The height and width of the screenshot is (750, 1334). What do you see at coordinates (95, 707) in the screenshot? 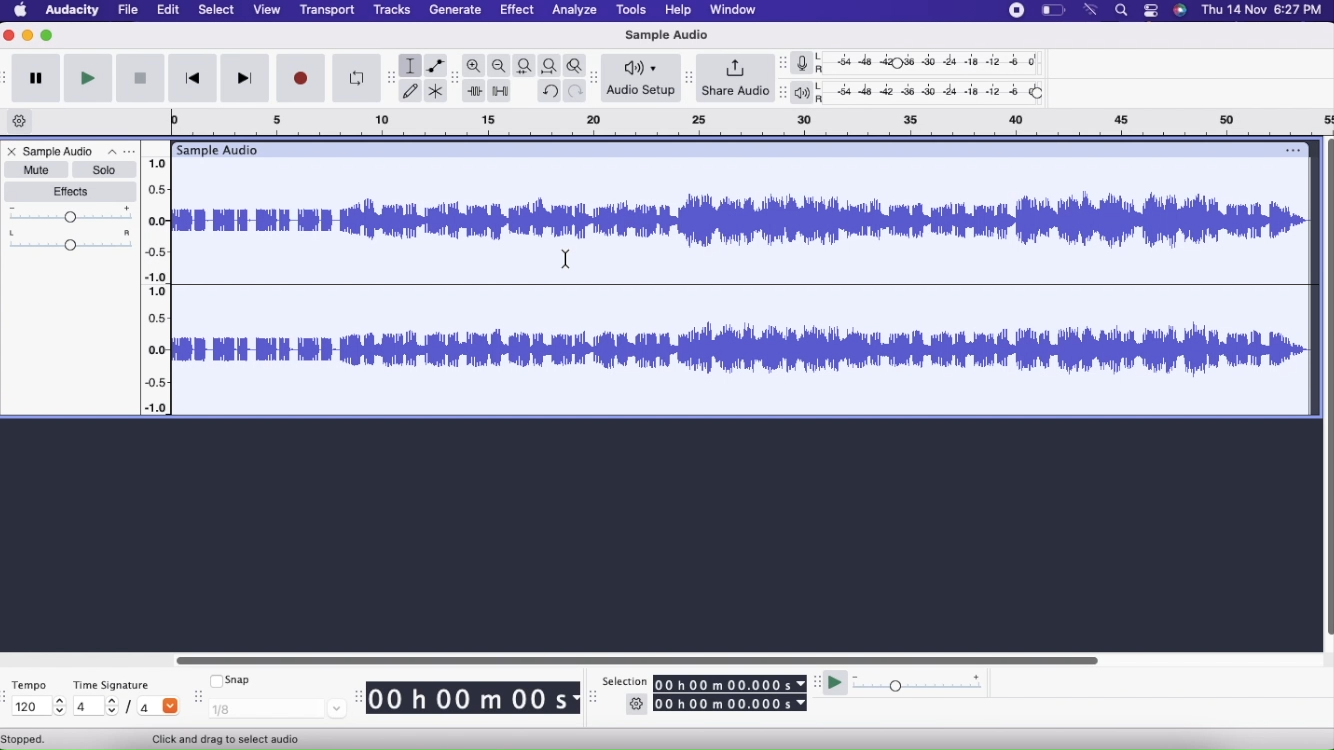
I see `4` at bounding box center [95, 707].